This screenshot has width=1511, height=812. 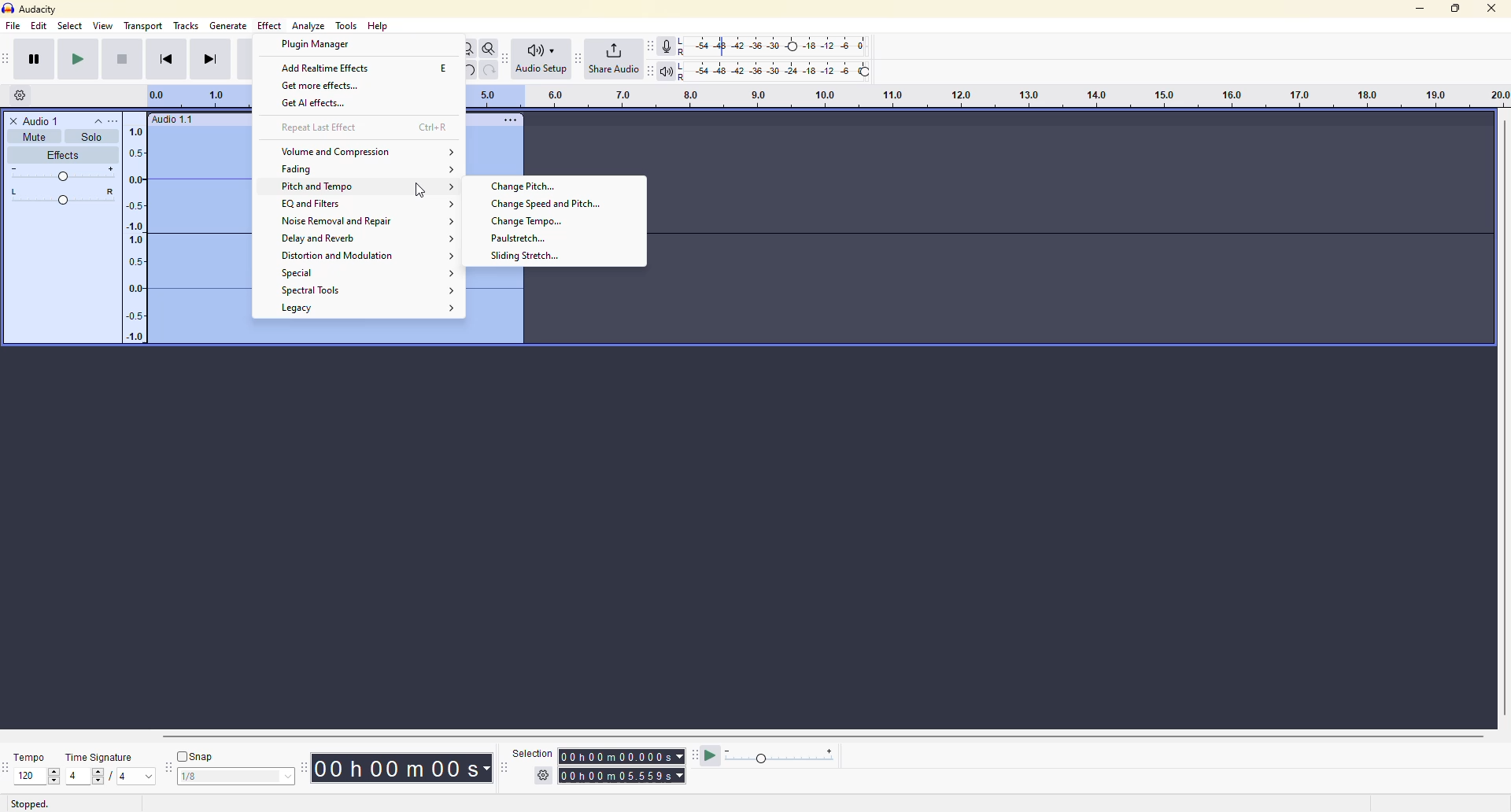 What do you see at coordinates (212, 58) in the screenshot?
I see `skip to end` at bounding box center [212, 58].